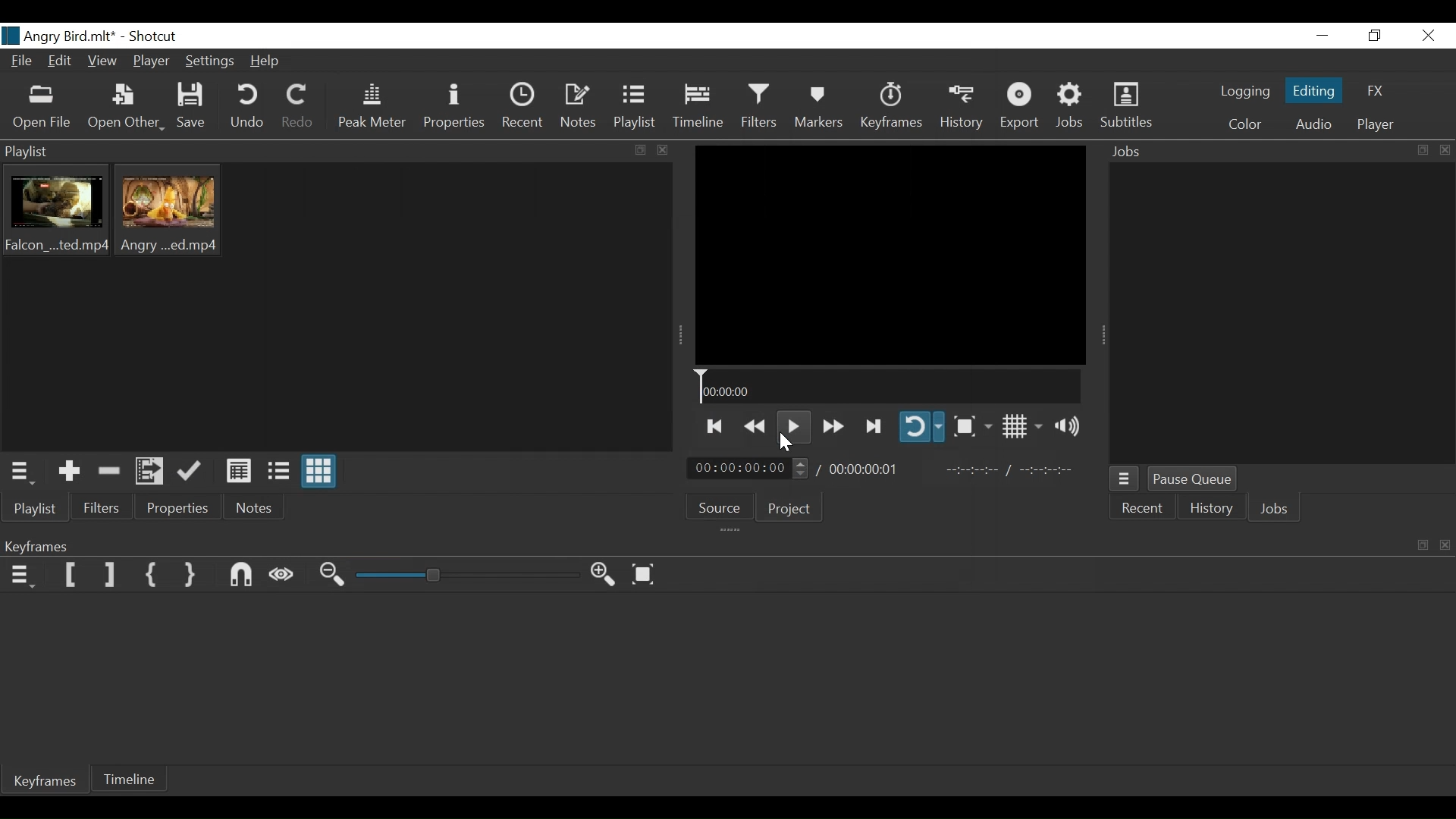 Image resolution: width=1456 pixels, height=819 pixels. Describe the element at coordinates (724, 545) in the screenshot. I see `Keyframe Panel` at that location.